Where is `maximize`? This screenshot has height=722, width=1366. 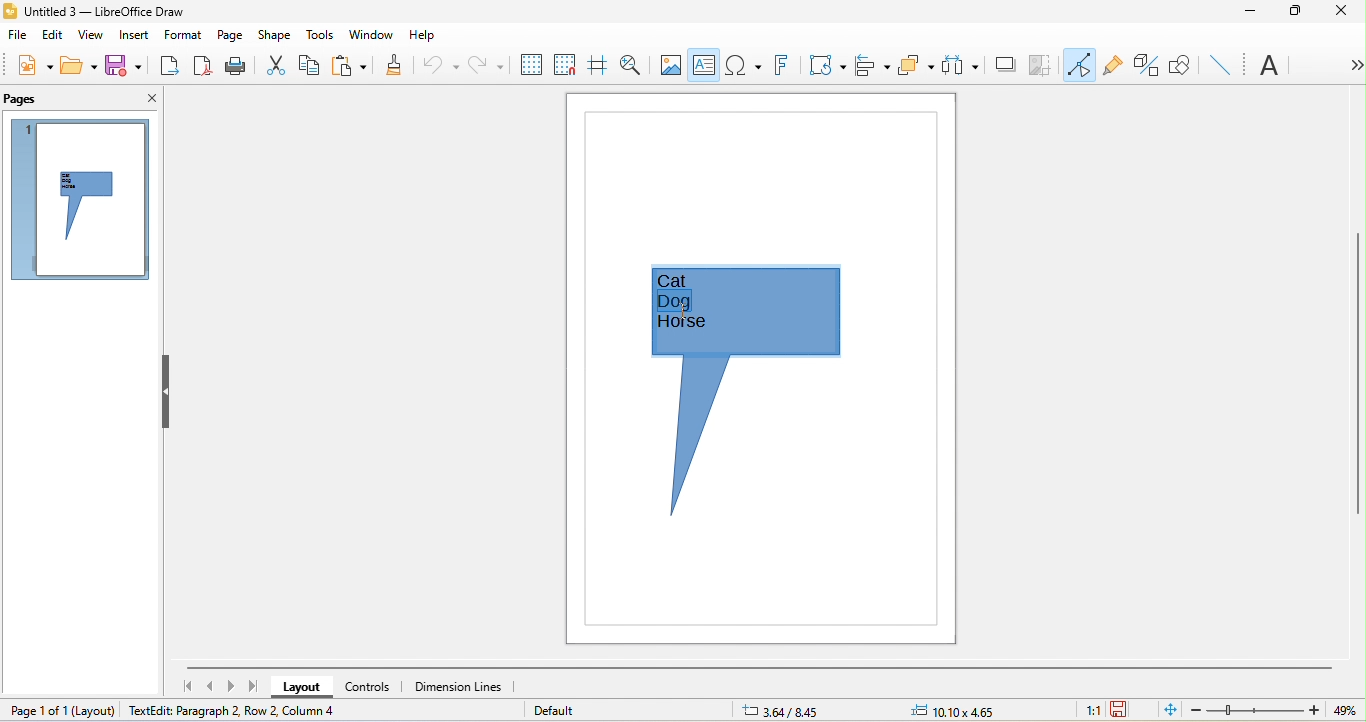 maximize is located at coordinates (1295, 12).